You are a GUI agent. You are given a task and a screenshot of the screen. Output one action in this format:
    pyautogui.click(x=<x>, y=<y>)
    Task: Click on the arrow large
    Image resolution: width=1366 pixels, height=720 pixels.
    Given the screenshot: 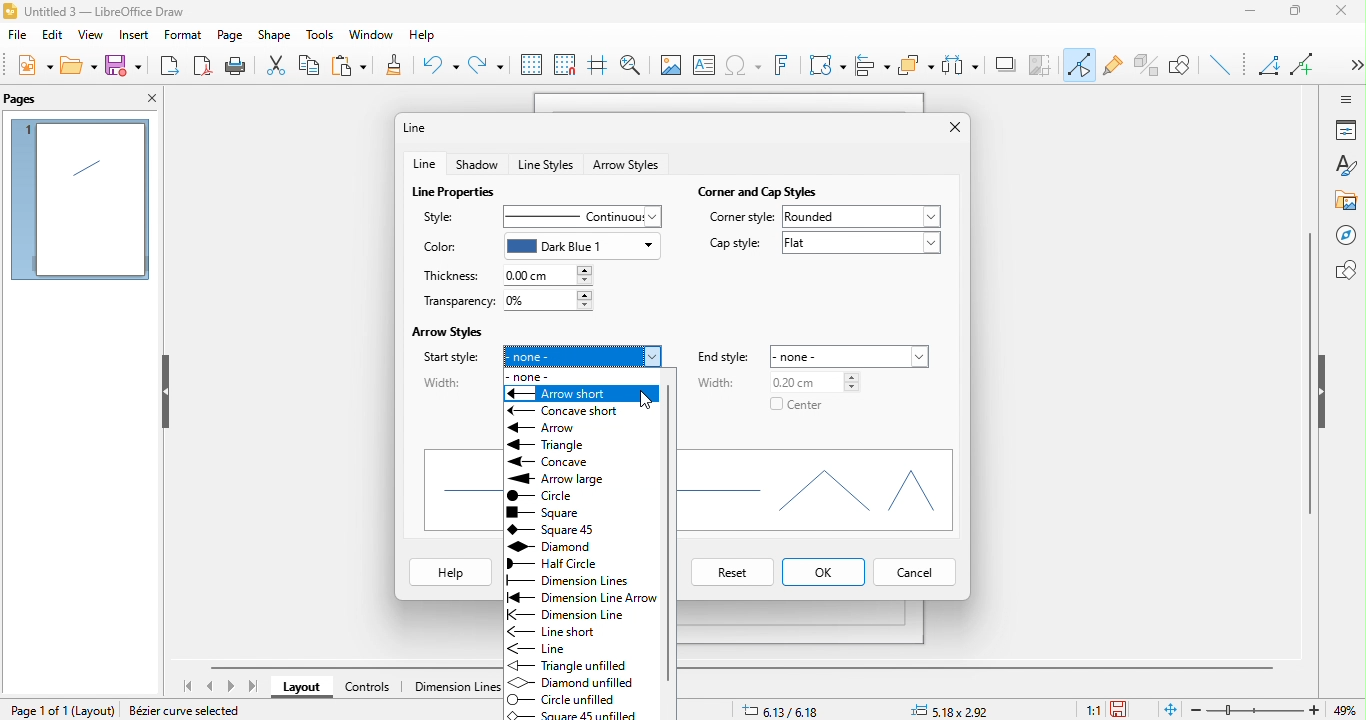 What is the action you would take?
    pyautogui.click(x=563, y=475)
    